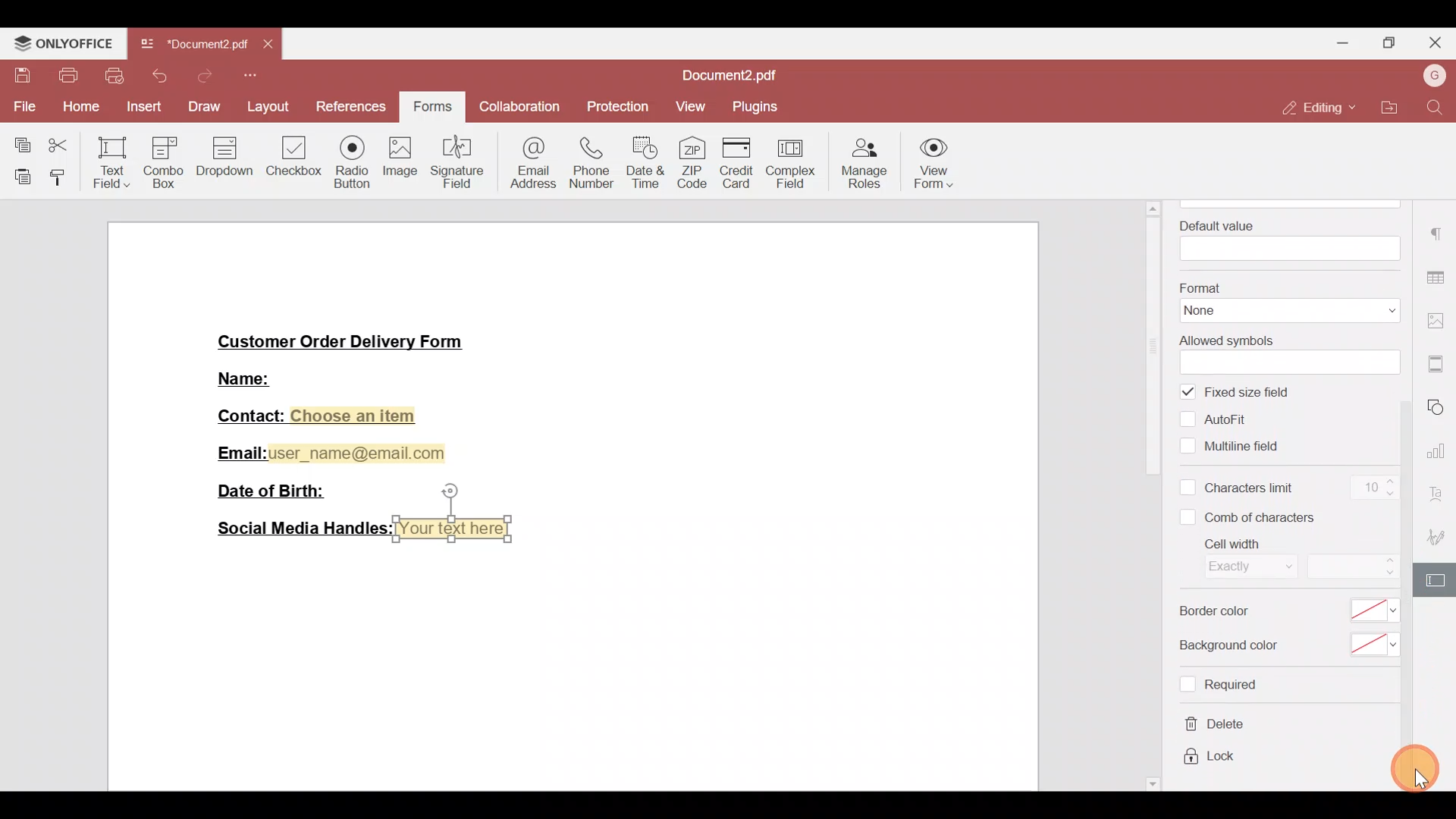  Describe the element at coordinates (204, 105) in the screenshot. I see `Draw` at that location.